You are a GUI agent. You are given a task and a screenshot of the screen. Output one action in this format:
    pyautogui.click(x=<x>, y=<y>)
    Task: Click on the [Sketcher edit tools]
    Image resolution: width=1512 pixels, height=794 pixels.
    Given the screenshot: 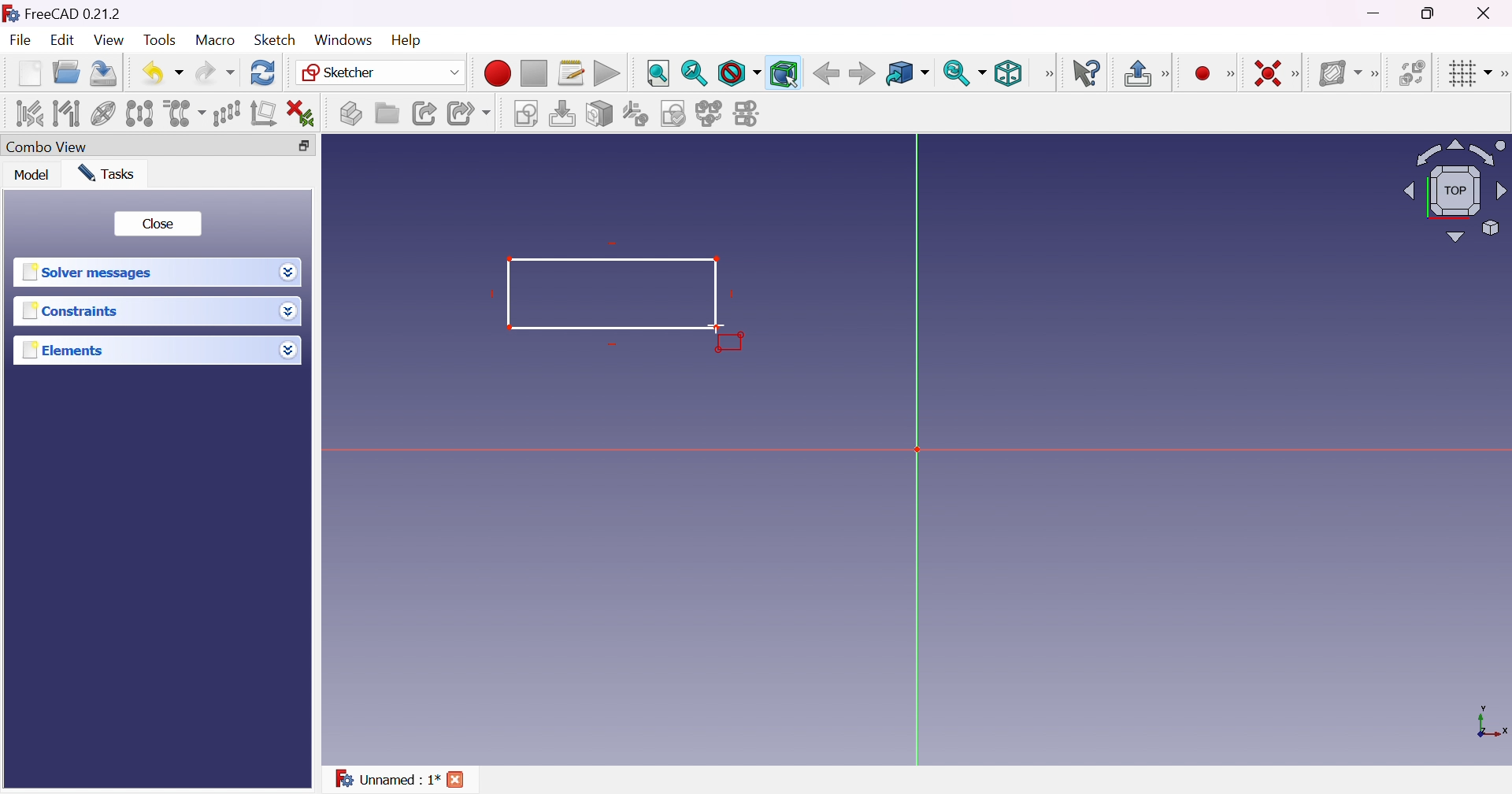 What is the action you would take?
    pyautogui.click(x=1503, y=74)
    